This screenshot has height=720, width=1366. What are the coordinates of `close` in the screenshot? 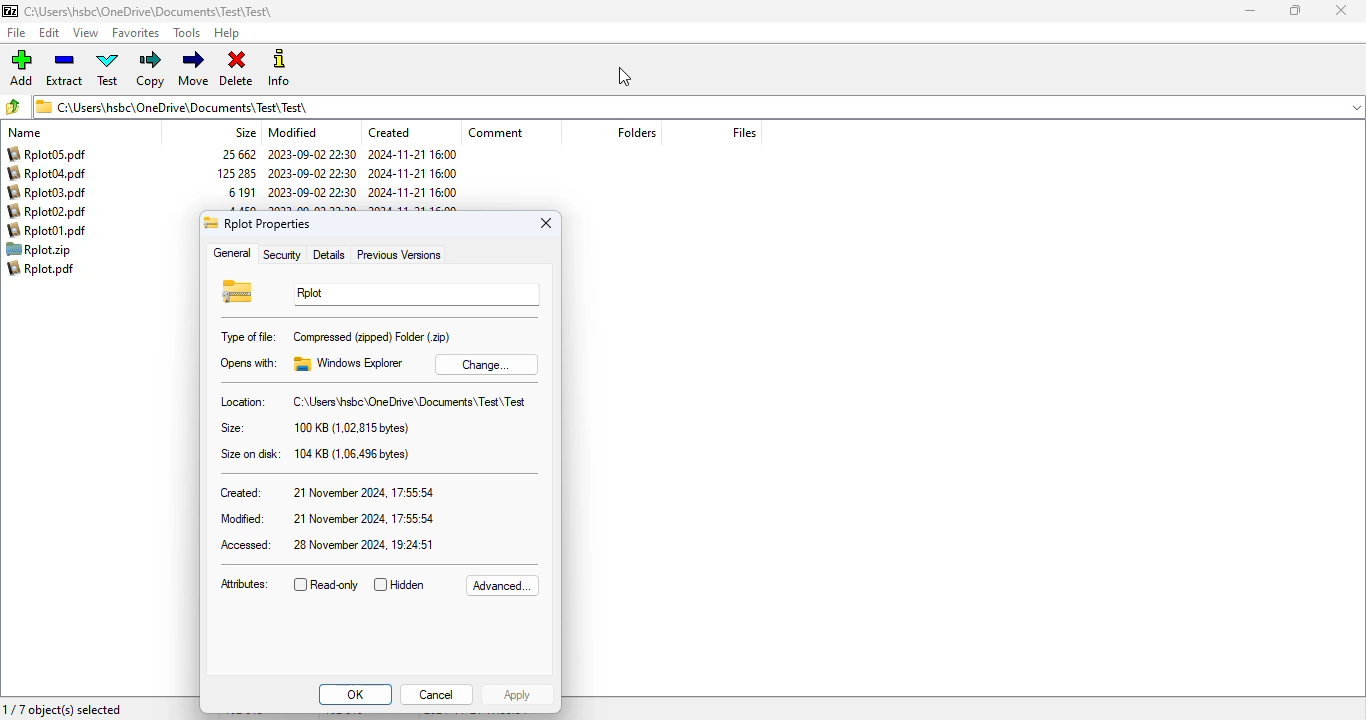 It's located at (1341, 11).